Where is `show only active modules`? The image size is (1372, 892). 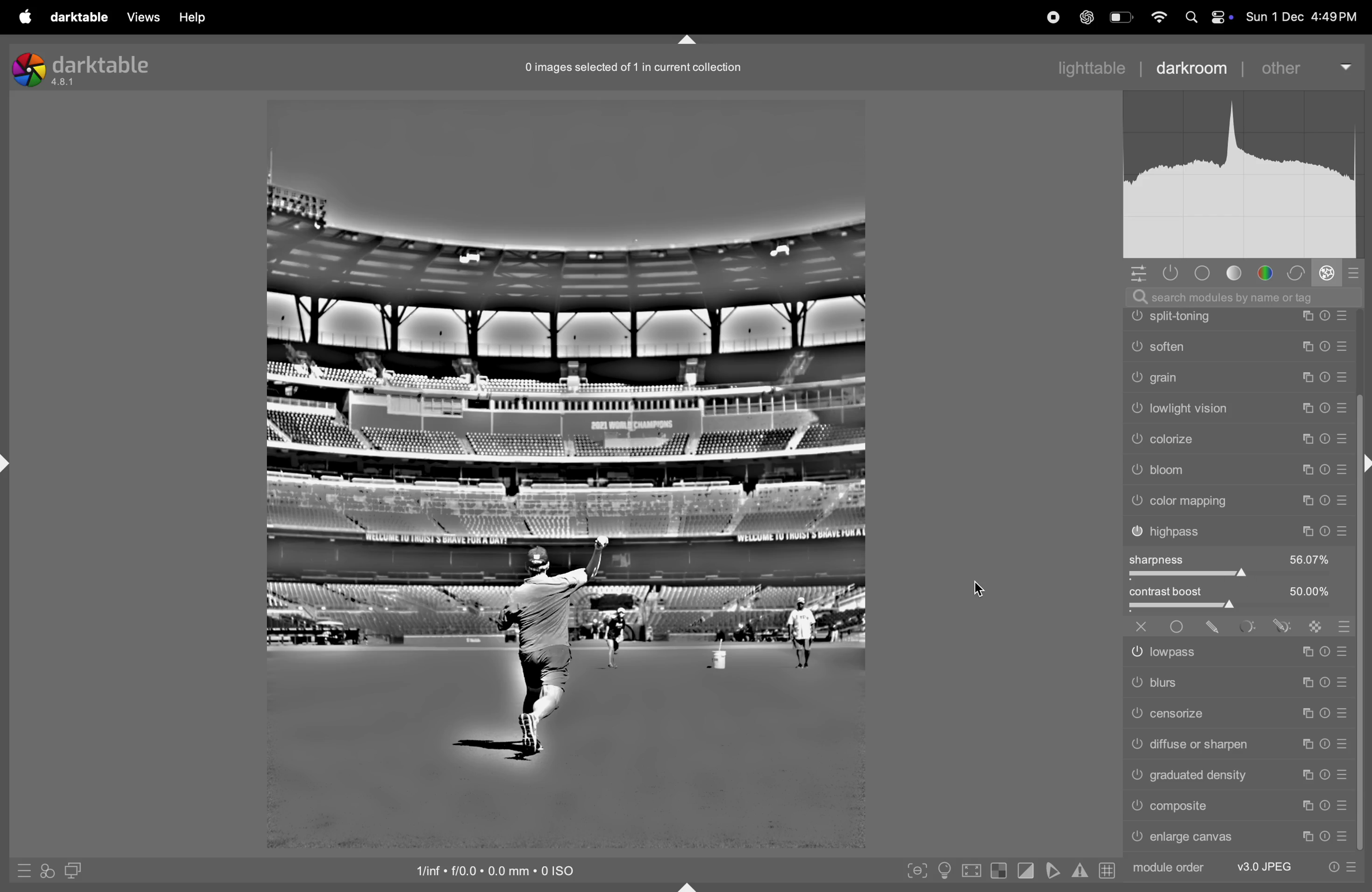
show only active modules is located at coordinates (1171, 273).